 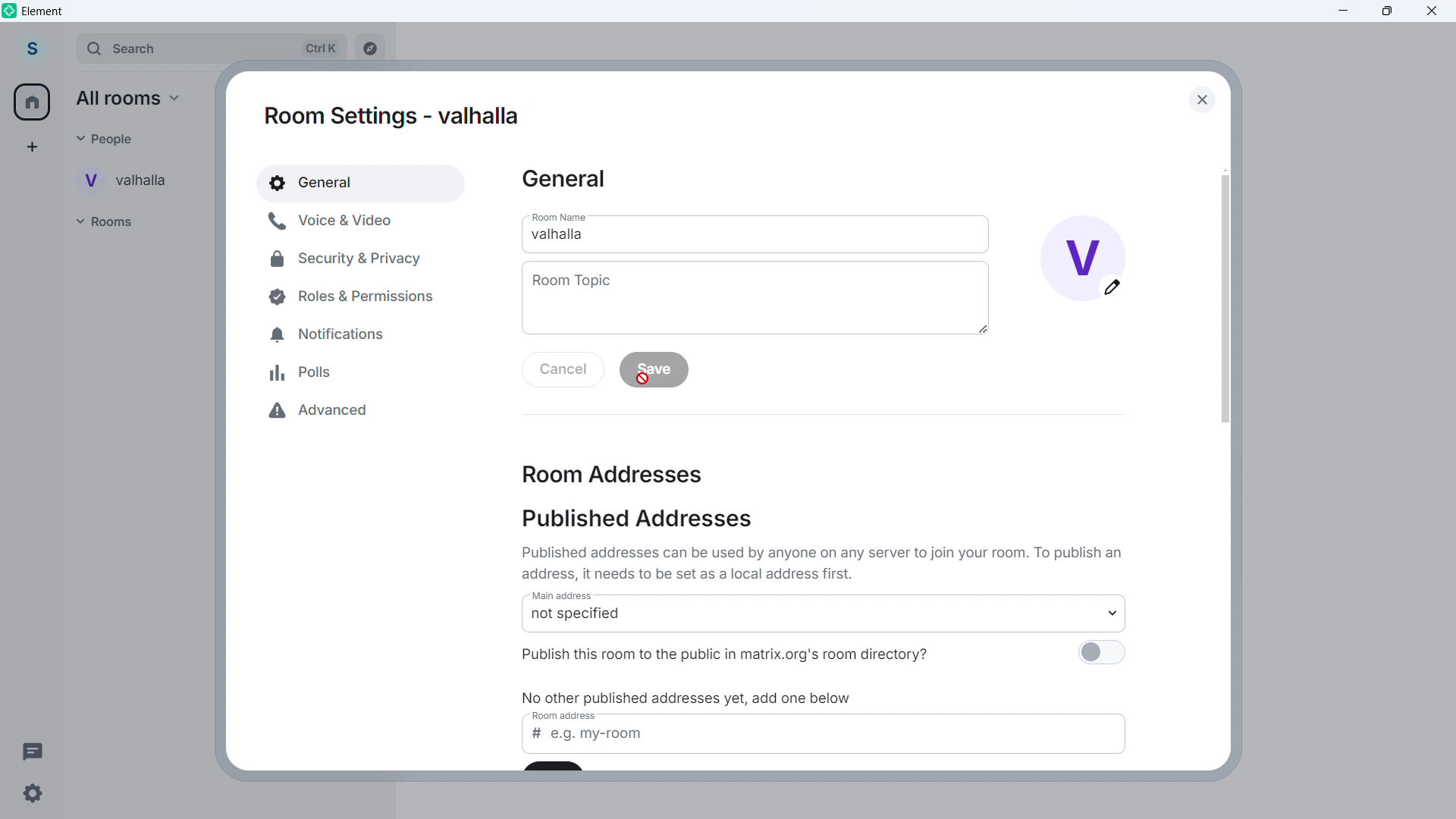 I want to click on # e.g my-room, so click(x=827, y=742).